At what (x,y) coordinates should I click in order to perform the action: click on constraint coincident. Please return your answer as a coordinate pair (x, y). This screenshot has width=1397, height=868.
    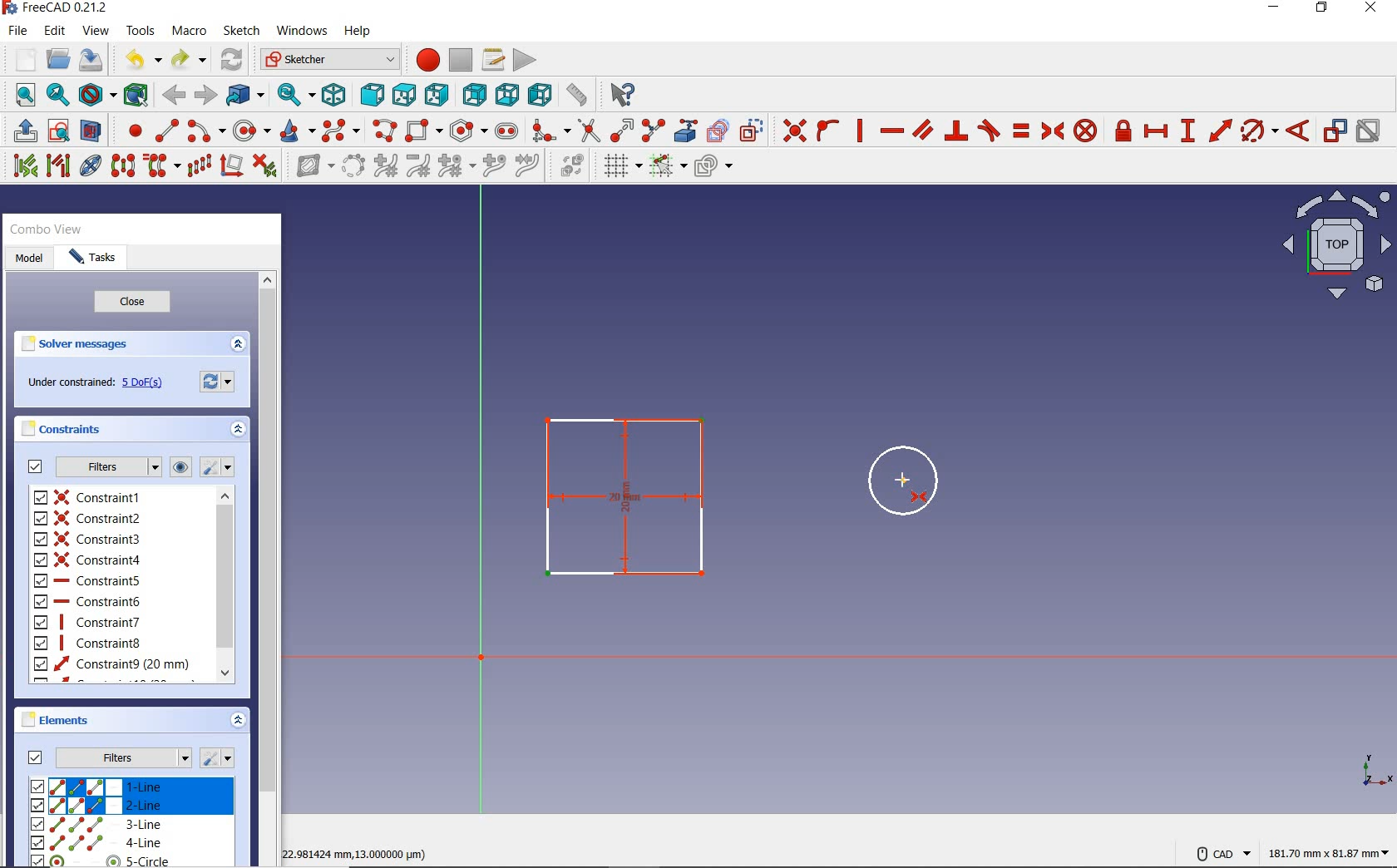
    Looking at the image, I should click on (792, 129).